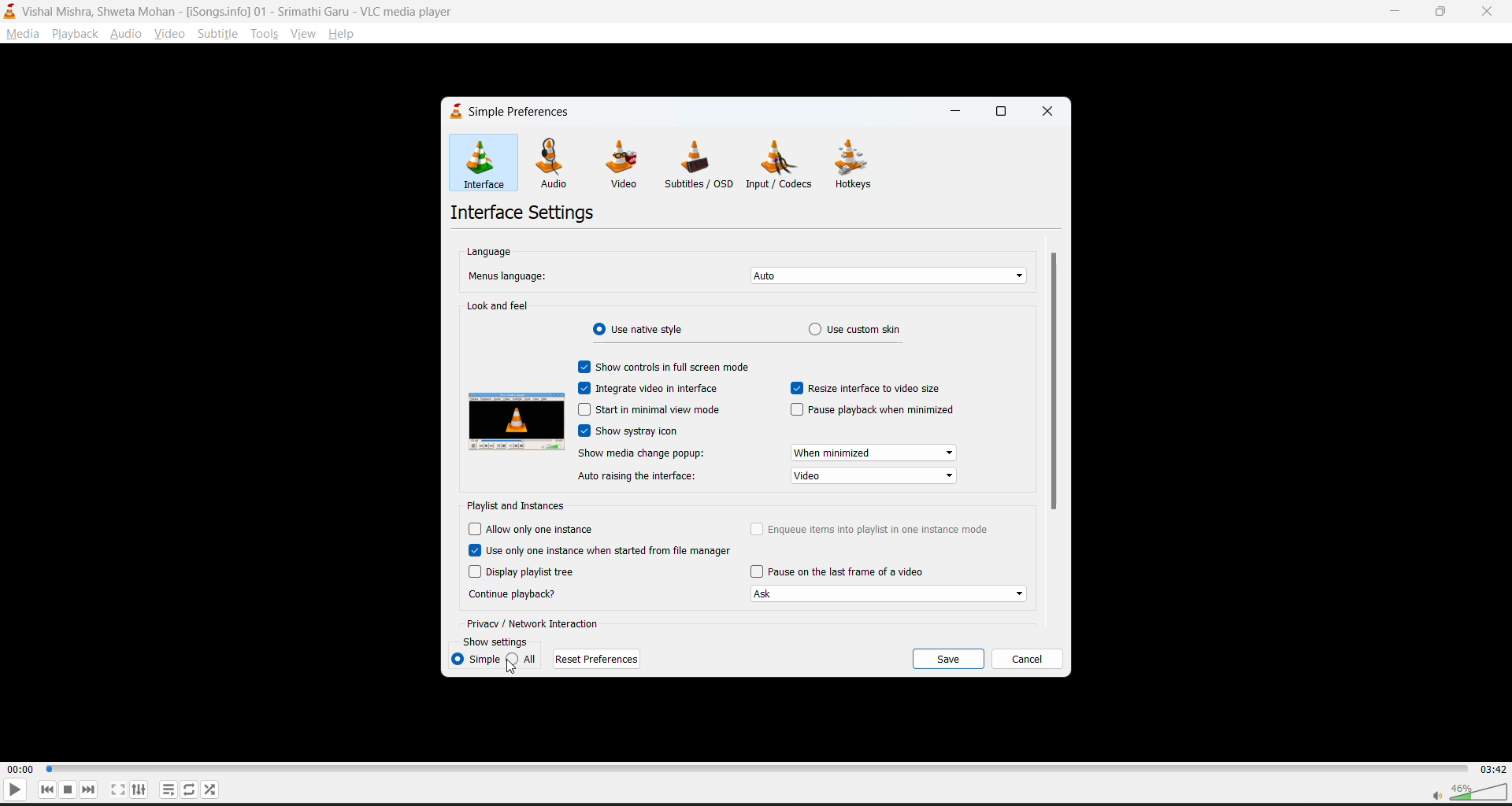 This screenshot has height=806, width=1512. Describe the element at coordinates (872, 412) in the screenshot. I see `pause playback when minimized ` at that location.